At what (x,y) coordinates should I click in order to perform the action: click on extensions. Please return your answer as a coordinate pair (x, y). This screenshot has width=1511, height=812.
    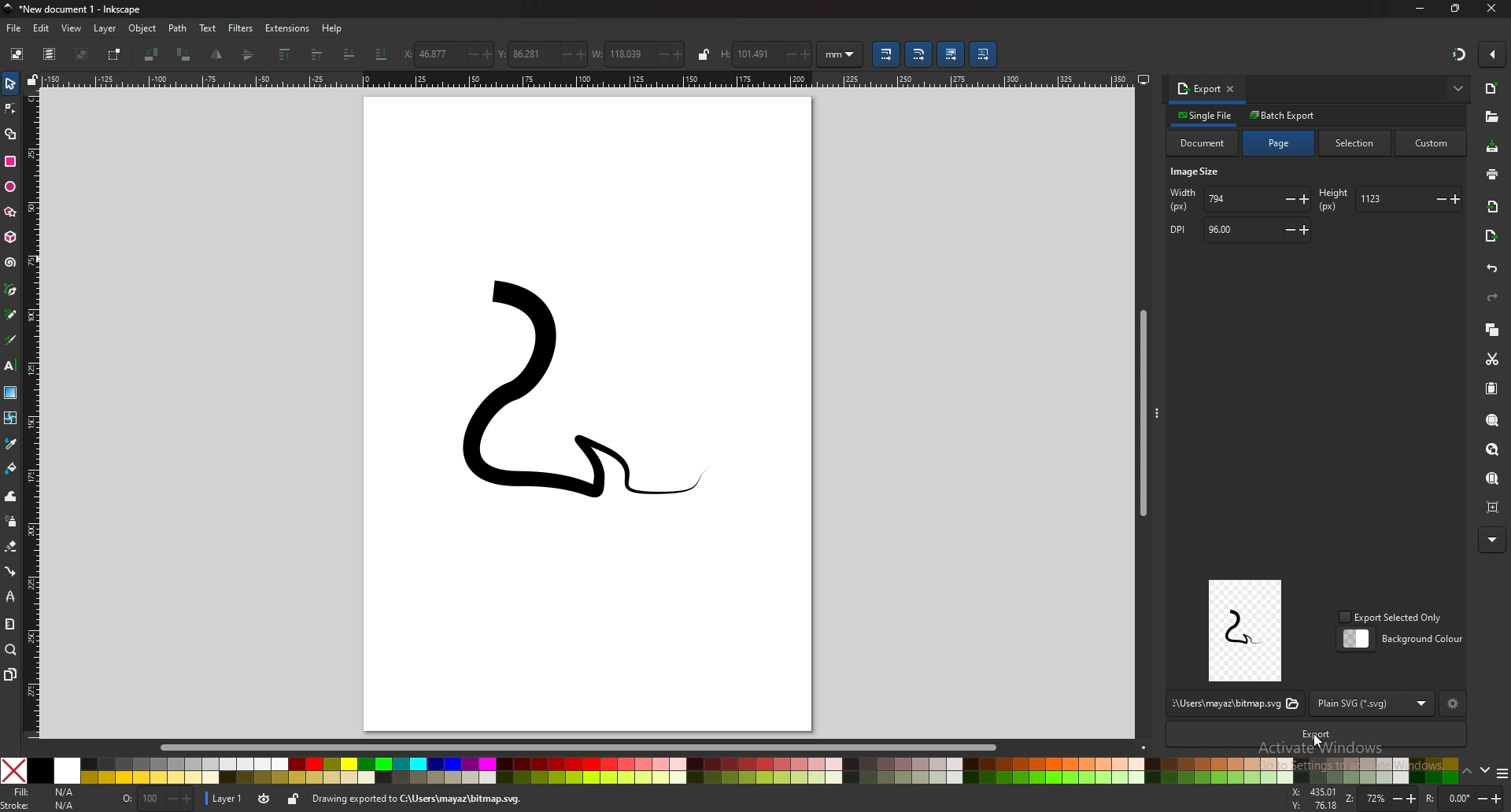
    Looking at the image, I should click on (289, 28).